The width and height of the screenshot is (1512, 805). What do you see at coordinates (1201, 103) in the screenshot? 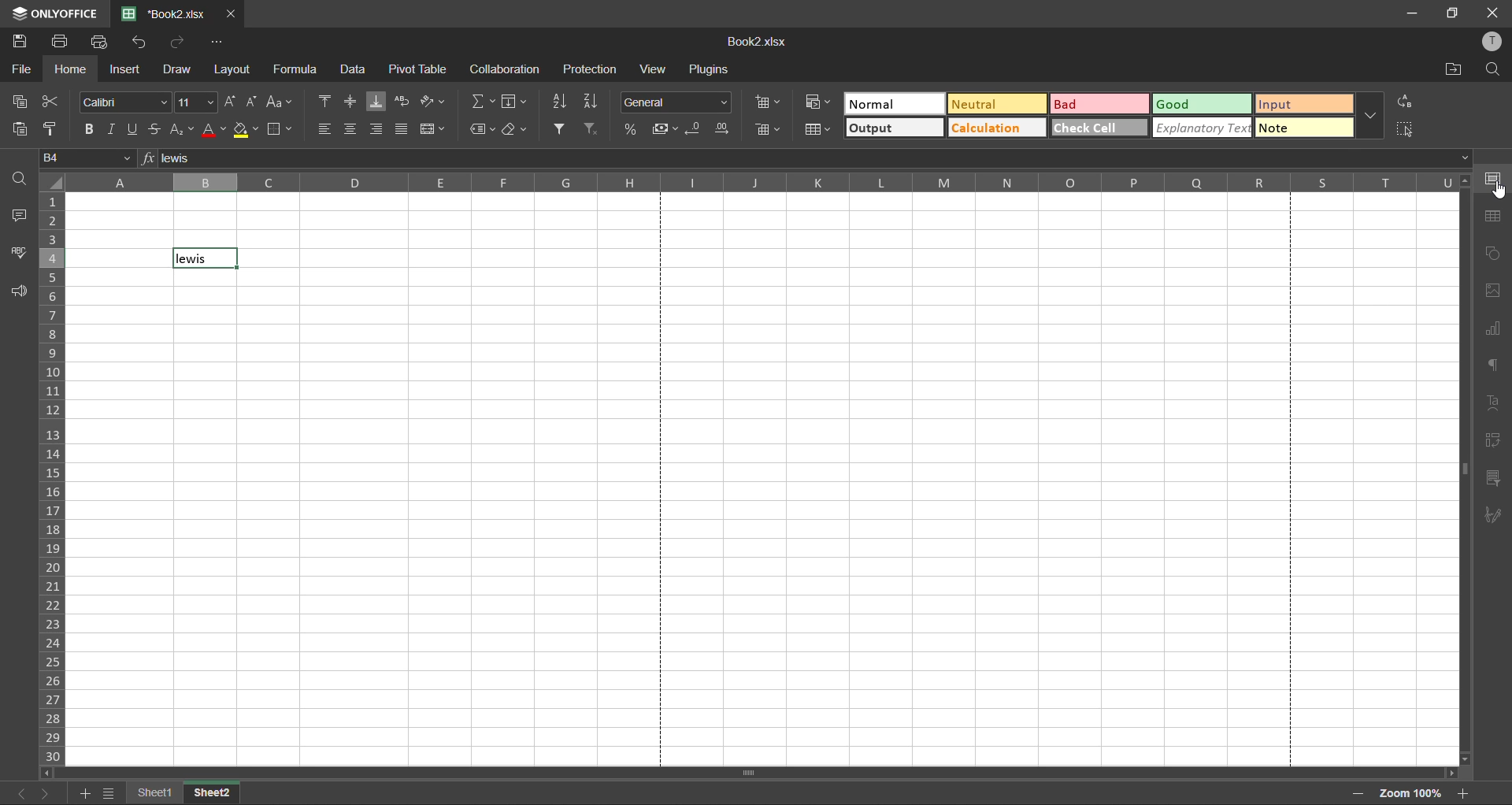
I see `good` at bounding box center [1201, 103].